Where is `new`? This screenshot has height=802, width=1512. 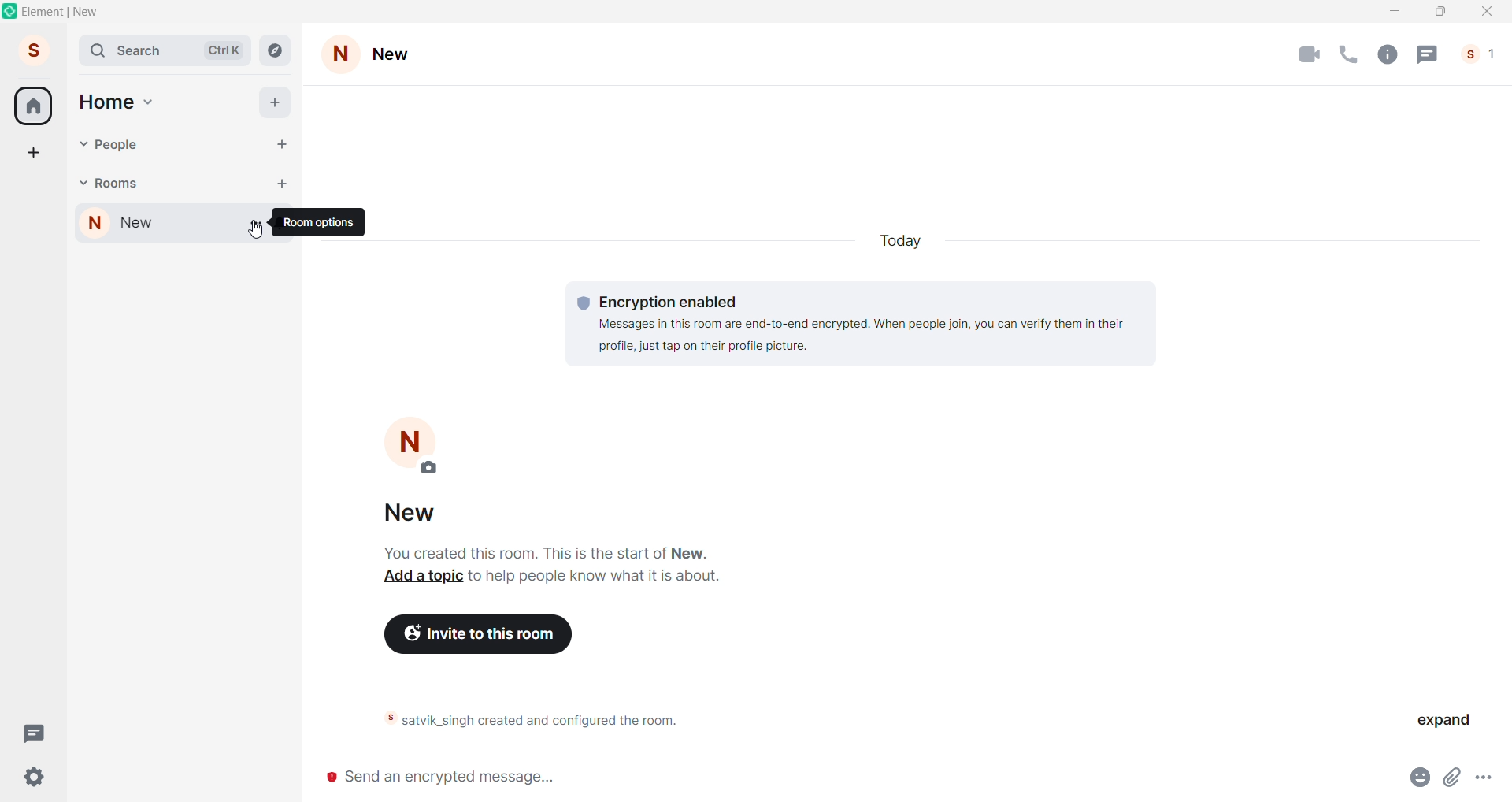 new is located at coordinates (151, 225).